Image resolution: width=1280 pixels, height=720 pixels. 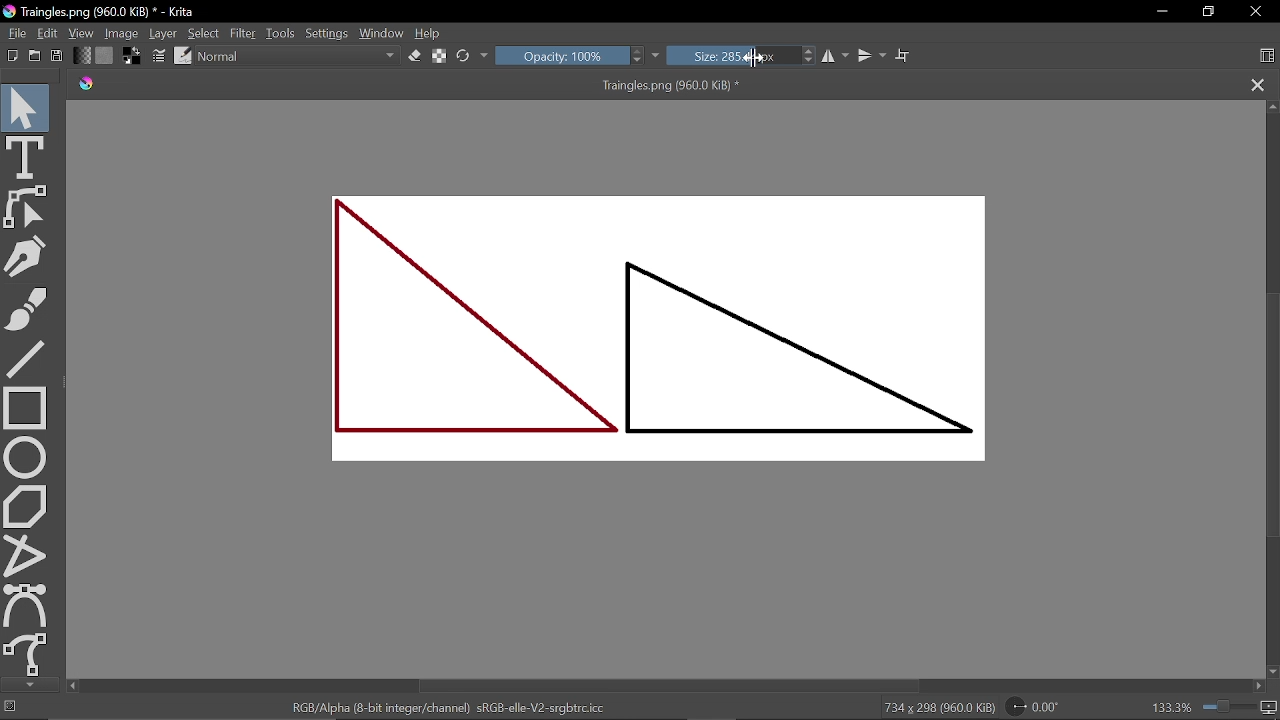 I want to click on Rectangle tool, so click(x=29, y=408).